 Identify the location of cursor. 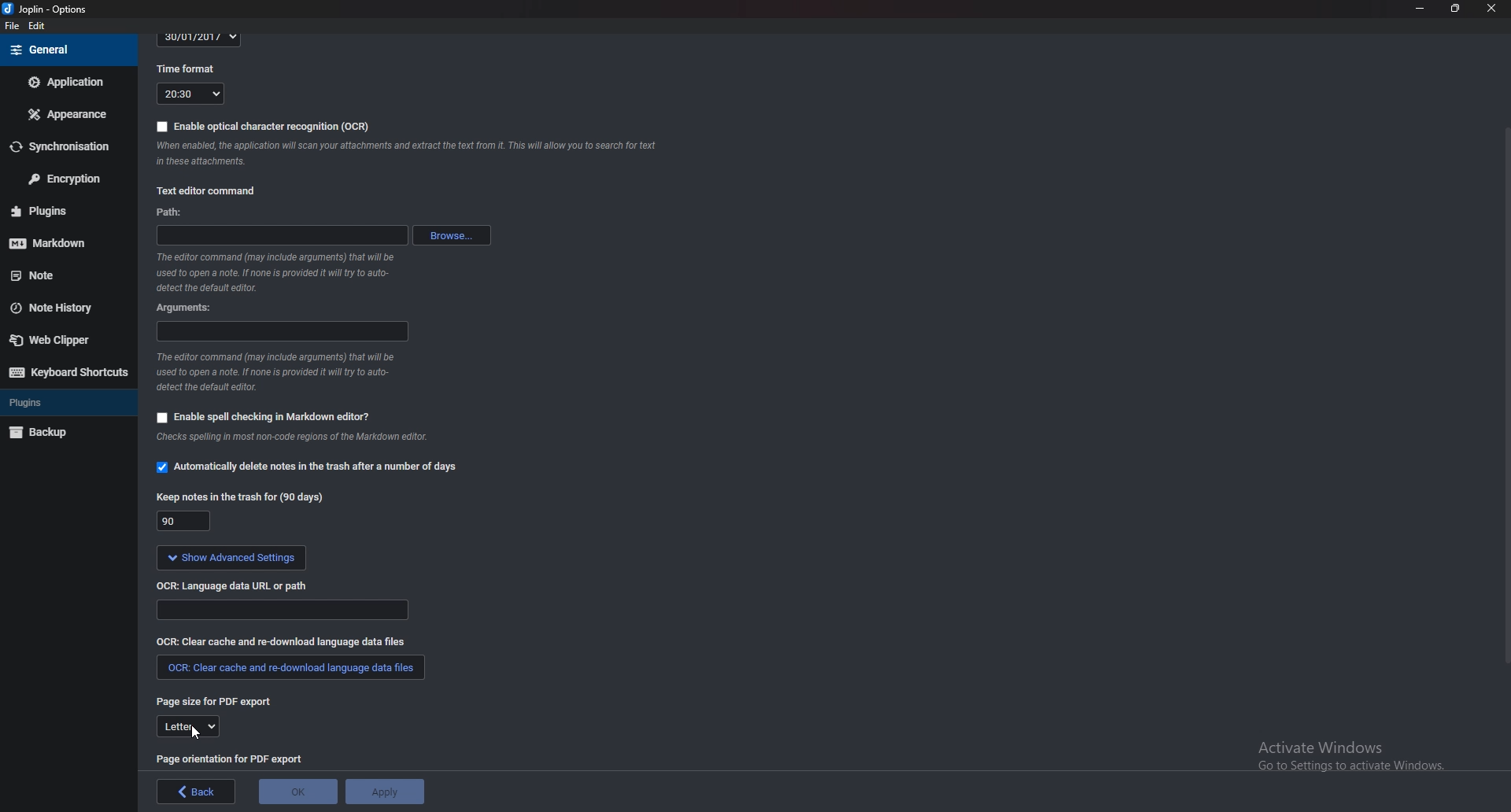
(196, 732).